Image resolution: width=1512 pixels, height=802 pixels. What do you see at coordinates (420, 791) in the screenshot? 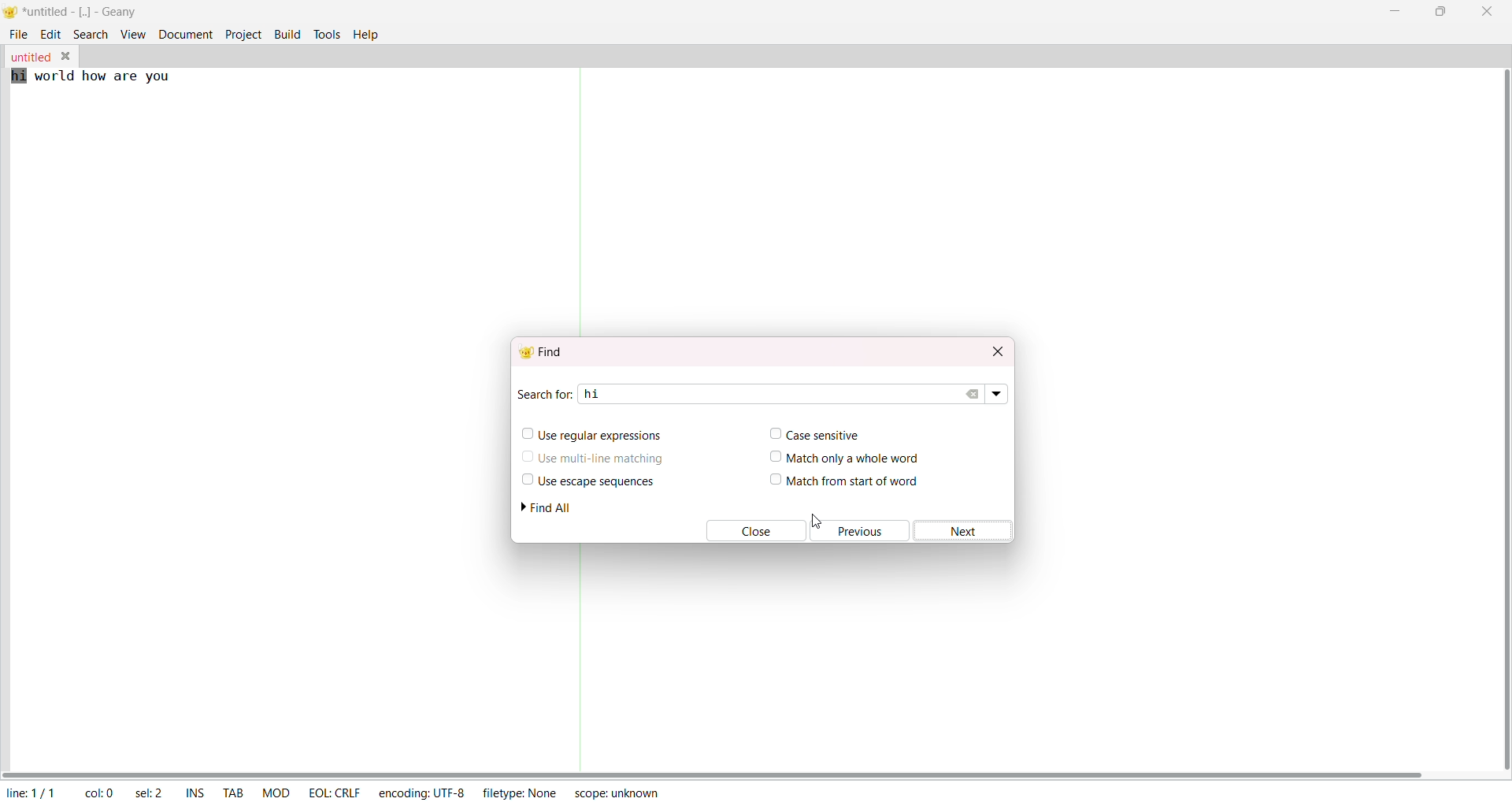
I see `encoding: utf-8` at bounding box center [420, 791].